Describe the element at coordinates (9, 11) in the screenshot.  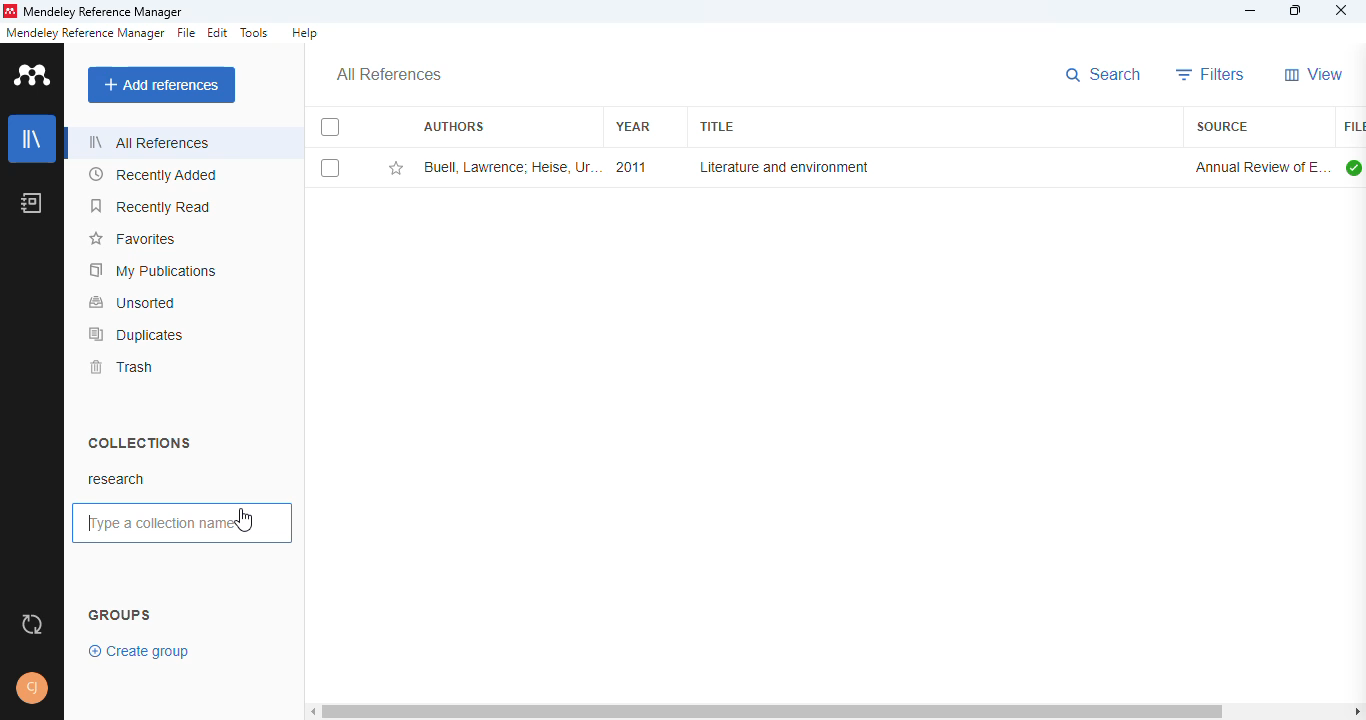
I see `logo` at that location.